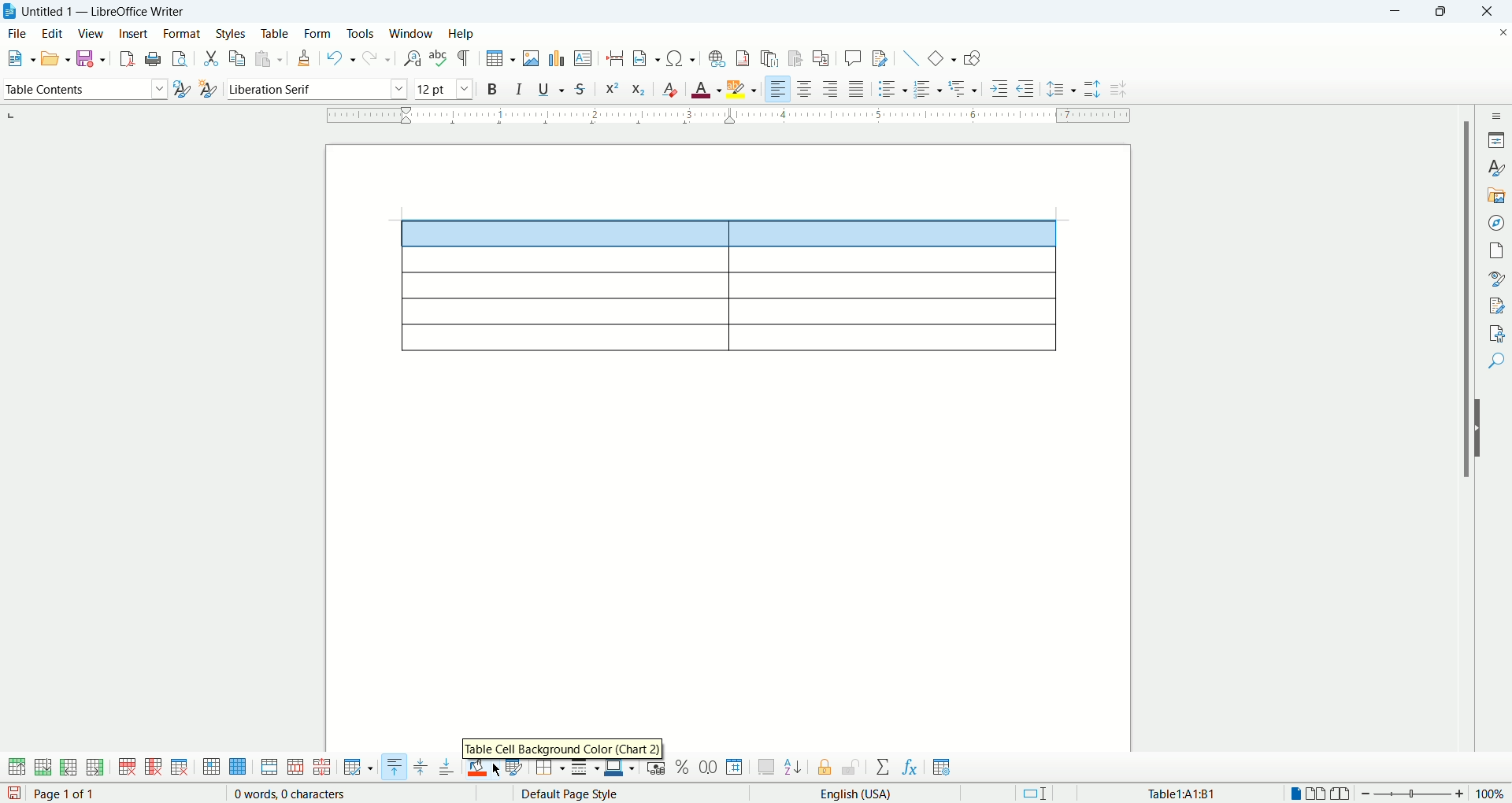  What do you see at coordinates (1002, 87) in the screenshot?
I see `increase indent` at bounding box center [1002, 87].